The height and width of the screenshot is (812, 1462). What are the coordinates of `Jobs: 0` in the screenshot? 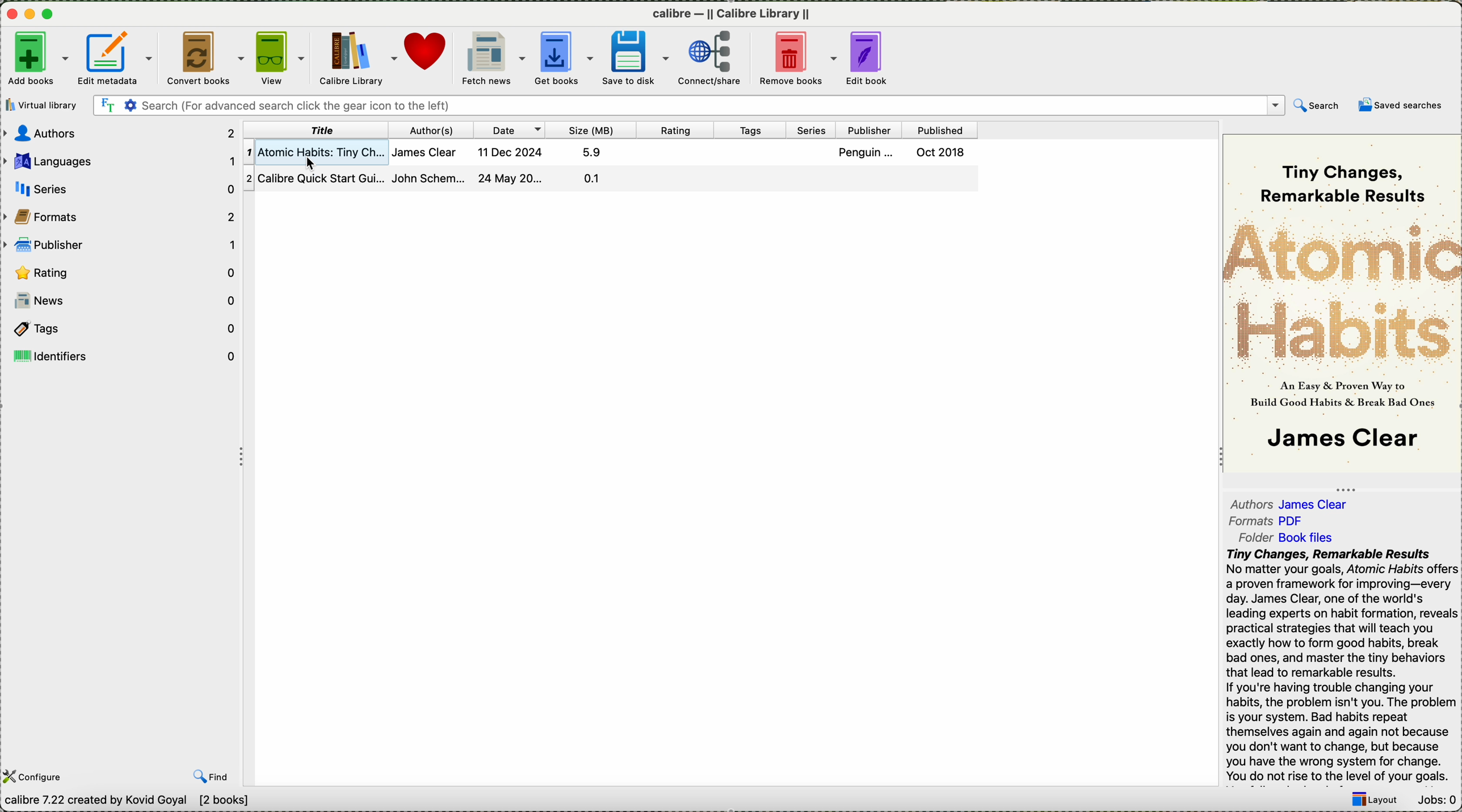 It's located at (1438, 801).